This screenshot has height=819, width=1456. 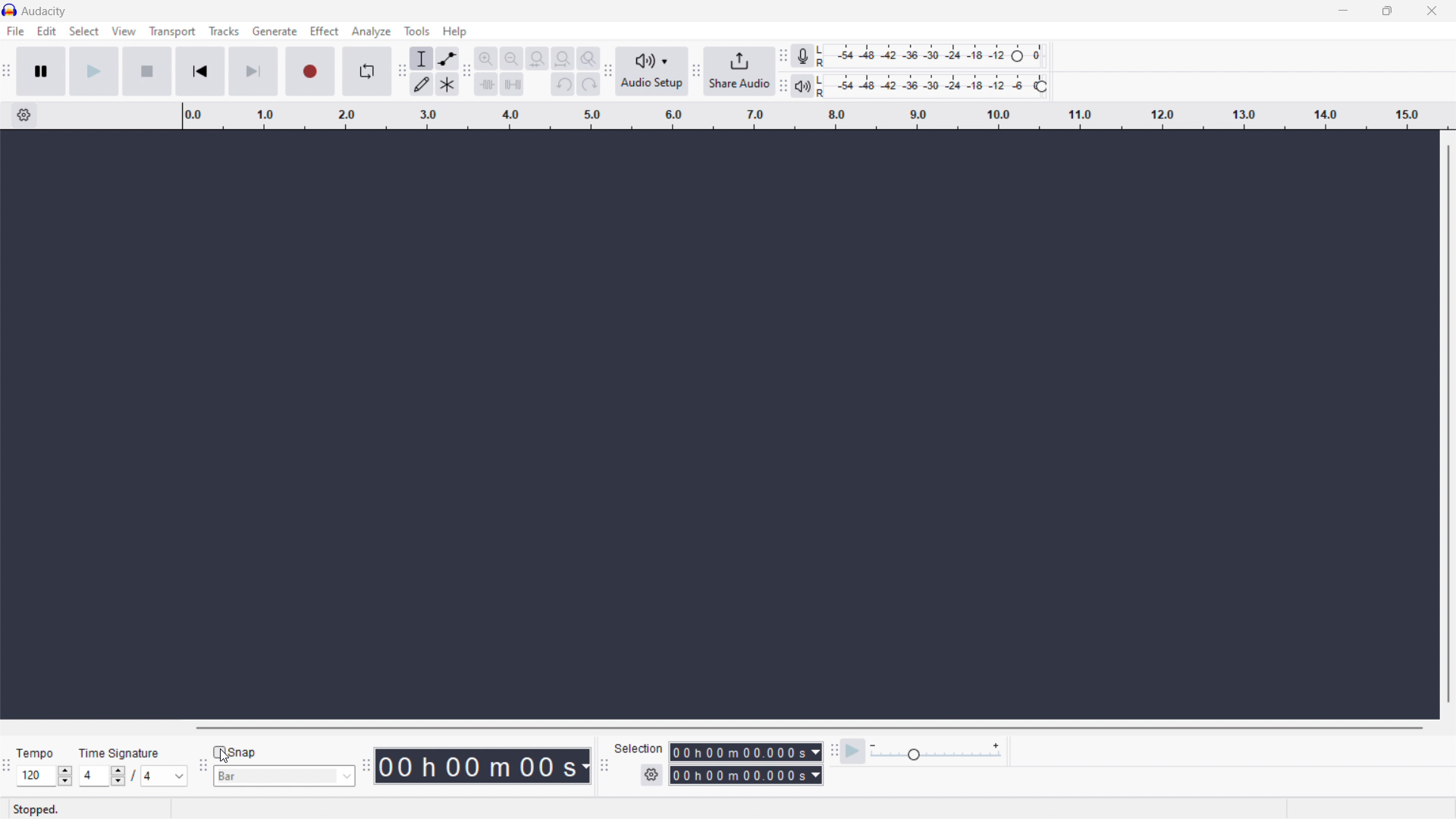 What do you see at coordinates (172, 32) in the screenshot?
I see `transport` at bounding box center [172, 32].